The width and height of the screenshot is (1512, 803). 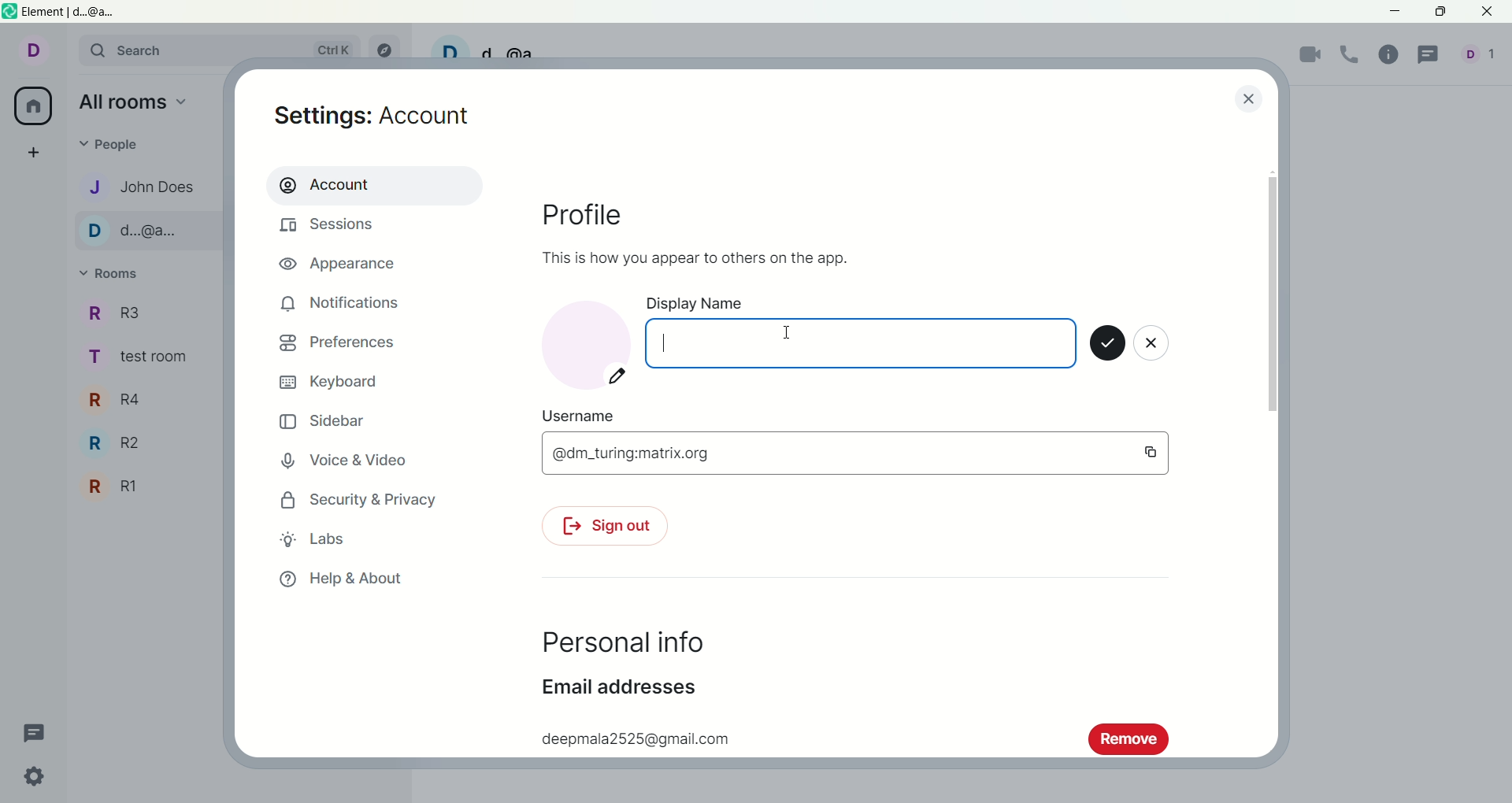 What do you see at coordinates (353, 462) in the screenshot?
I see `voice and video` at bounding box center [353, 462].